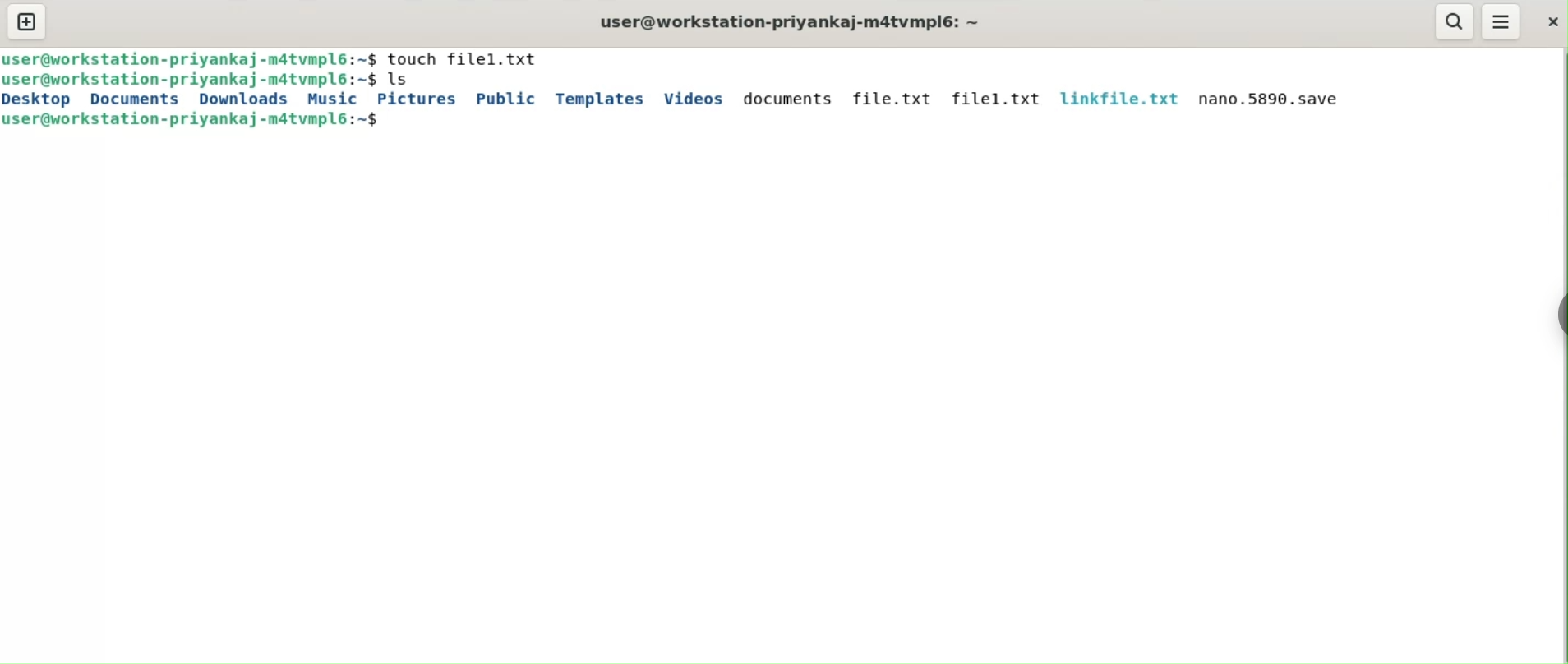  Describe the element at coordinates (1118, 99) in the screenshot. I see `linkfile.txt` at that location.